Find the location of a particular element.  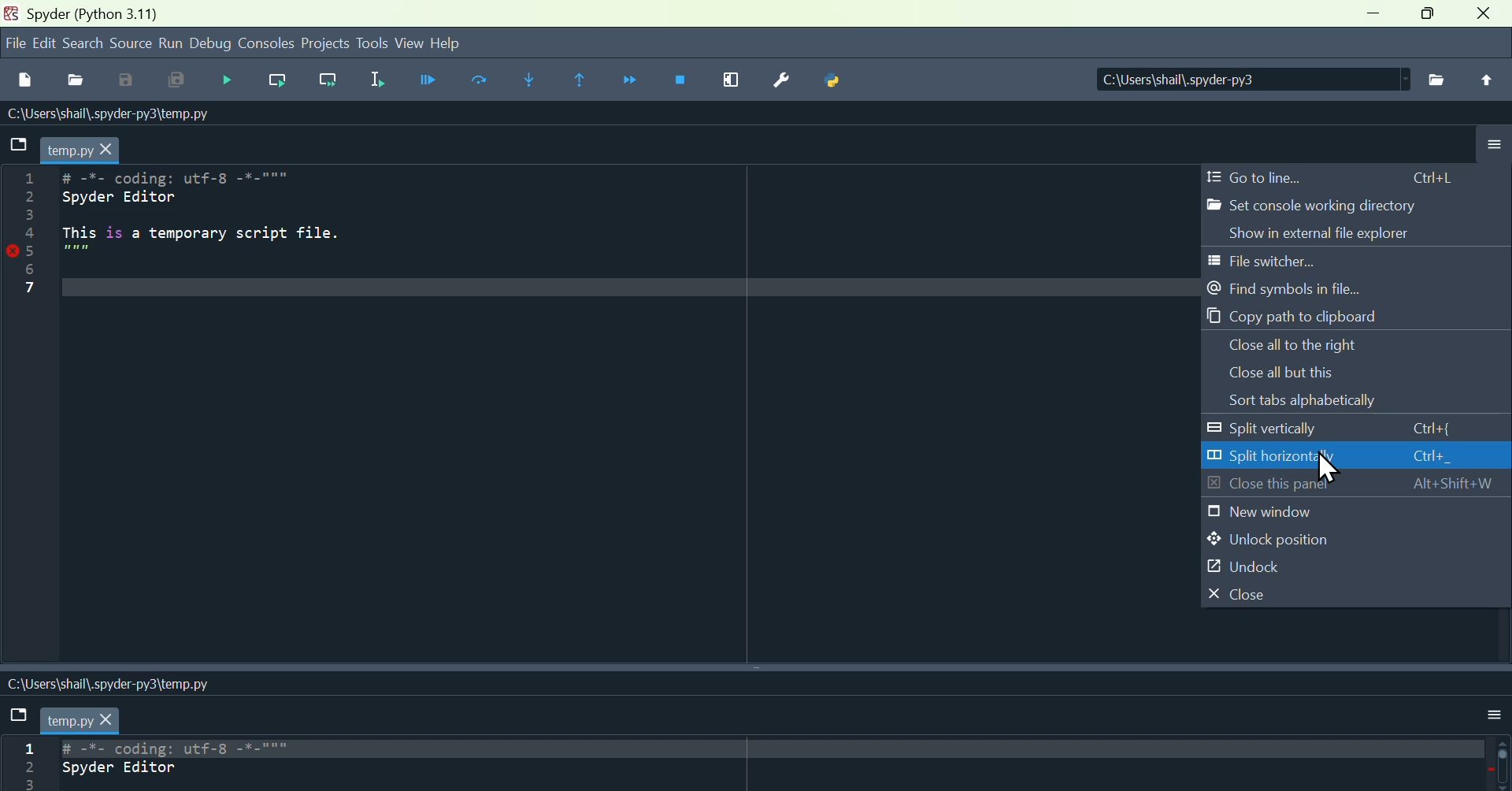

Consoles is located at coordinates (269, 47).